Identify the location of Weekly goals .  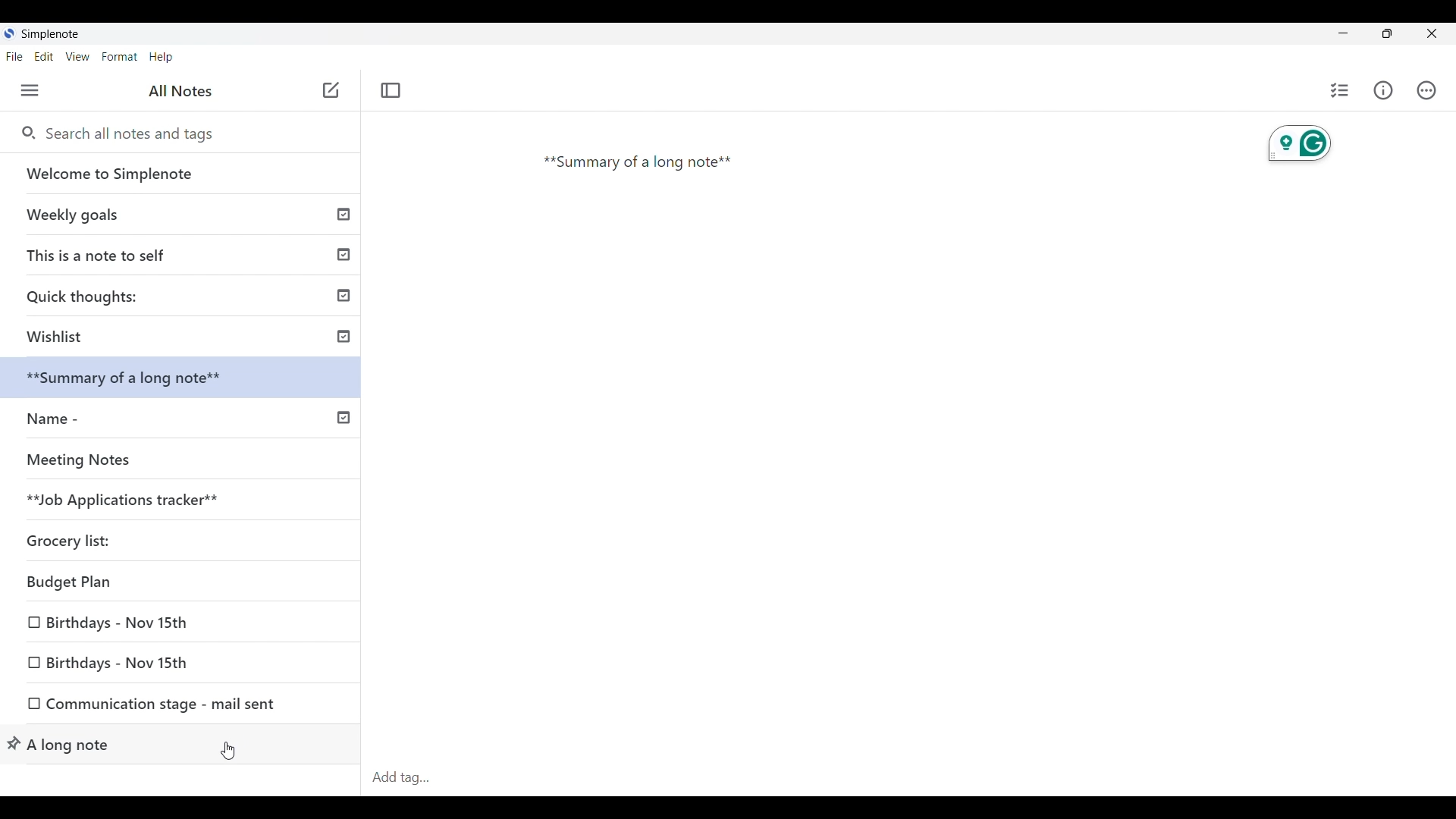
(181, 214).